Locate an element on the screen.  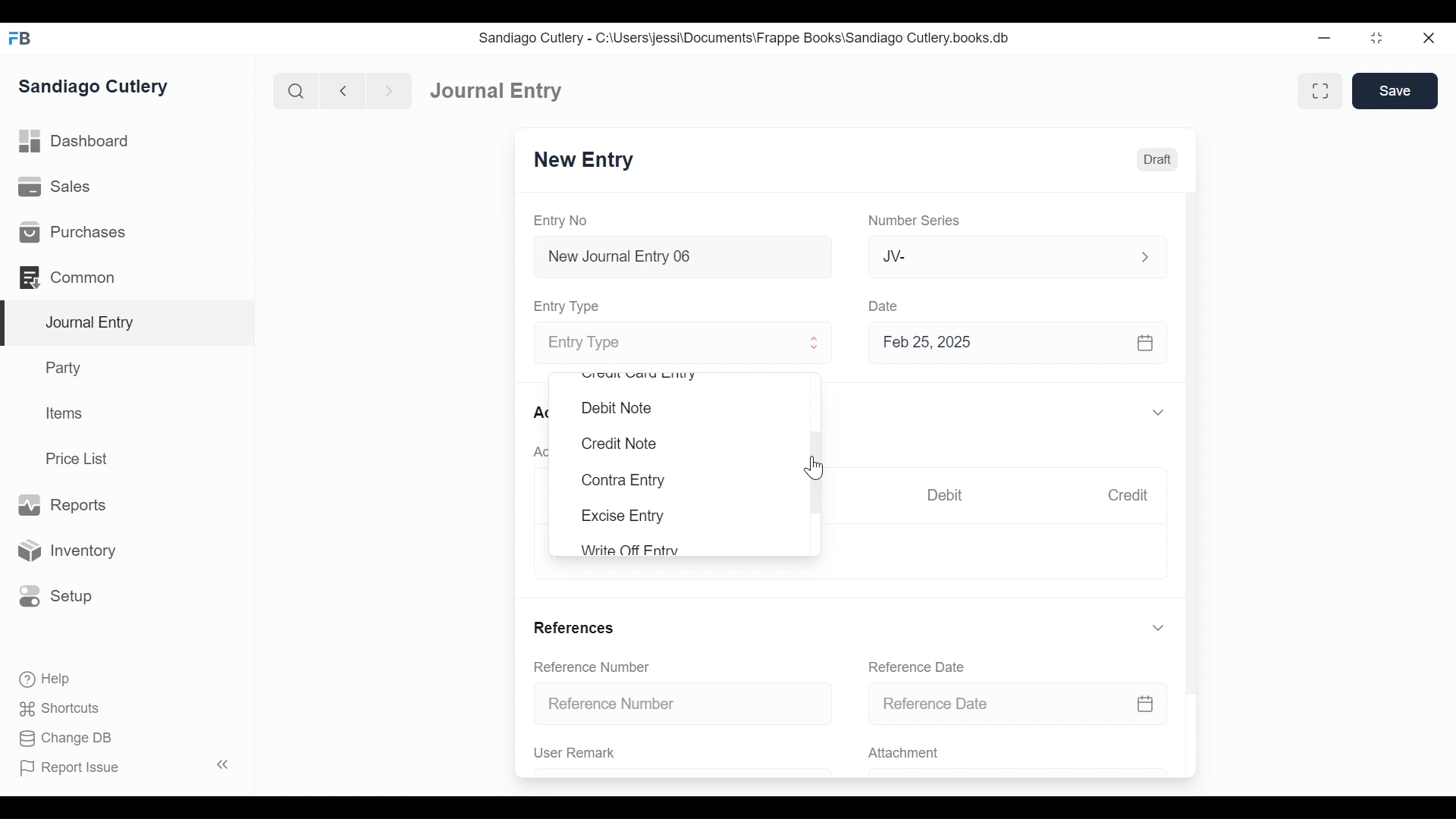
Party is located at coordinates (67, 367).